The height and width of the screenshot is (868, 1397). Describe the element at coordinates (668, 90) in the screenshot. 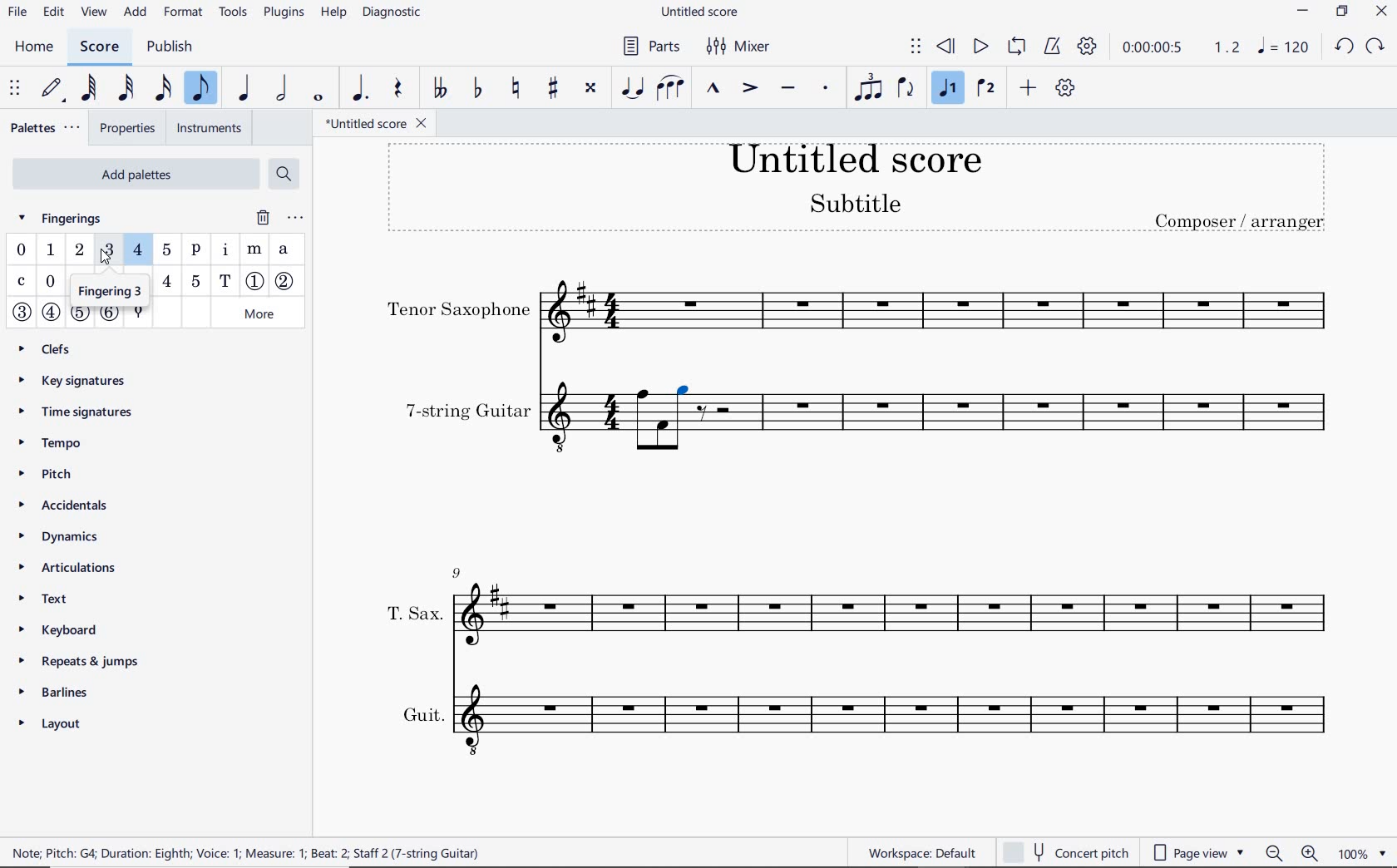

I see `SLUR` at that location.